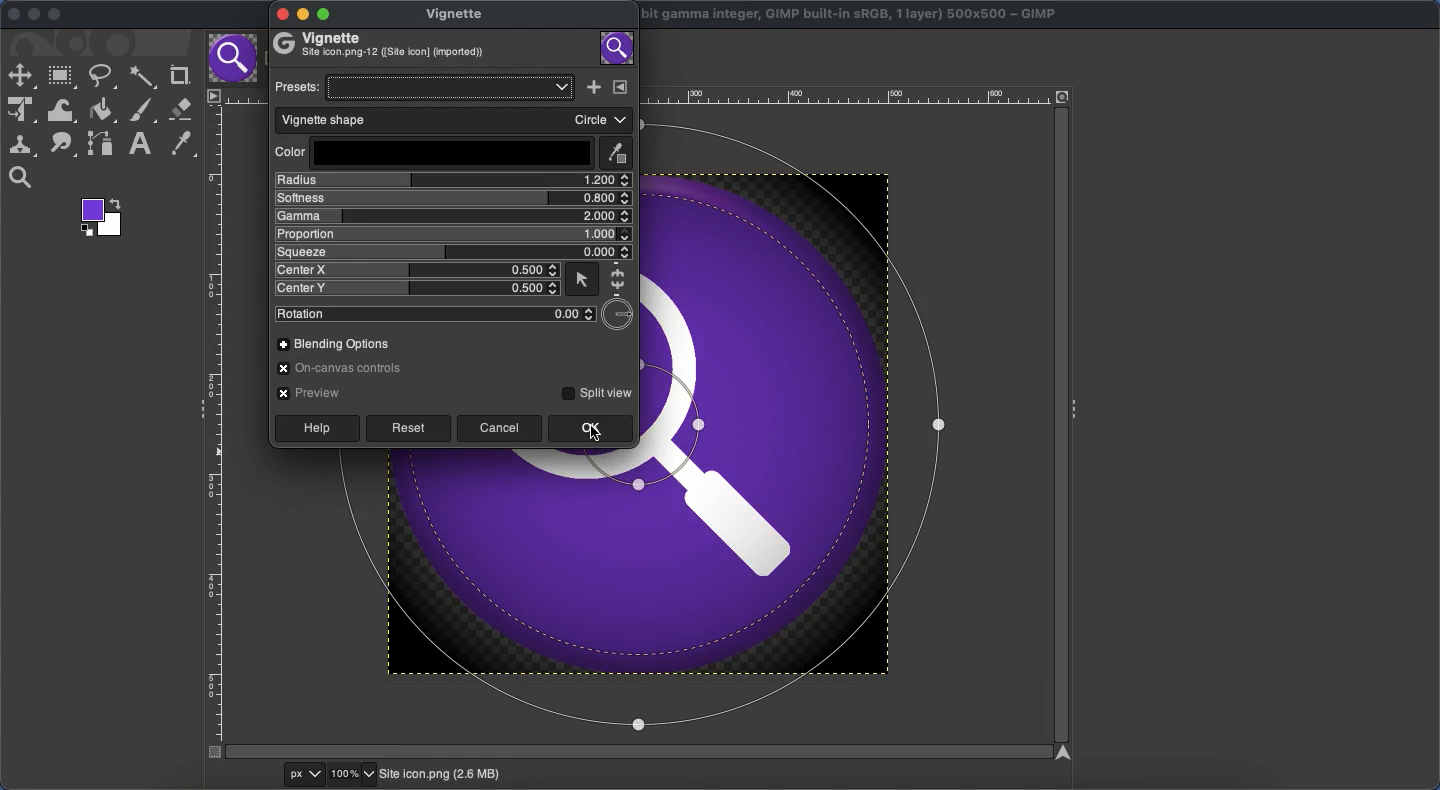  I want to click on Tab, so click(231, 59).